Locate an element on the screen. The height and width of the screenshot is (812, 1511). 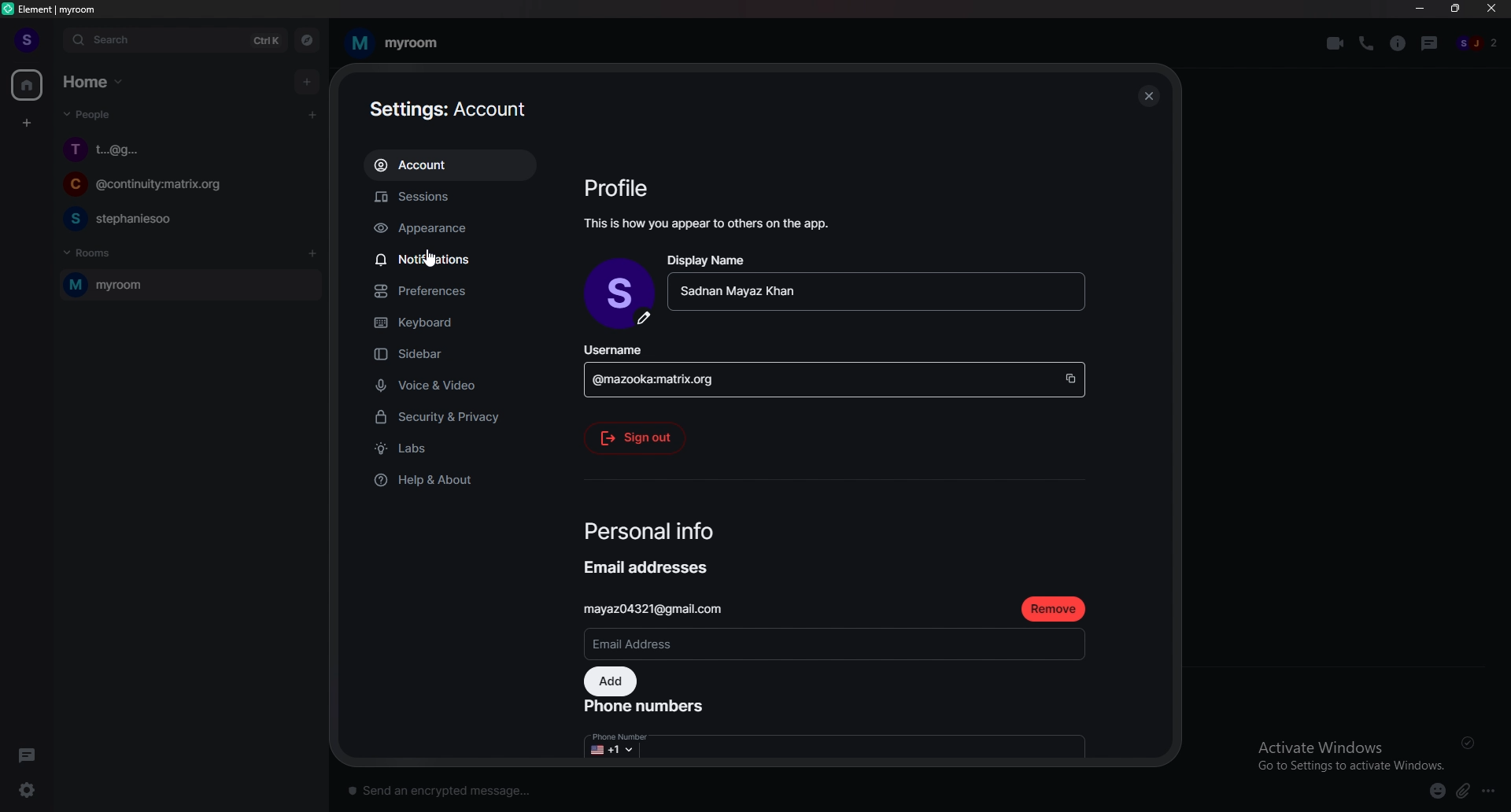
personal info is located at coordinates (655, 532).